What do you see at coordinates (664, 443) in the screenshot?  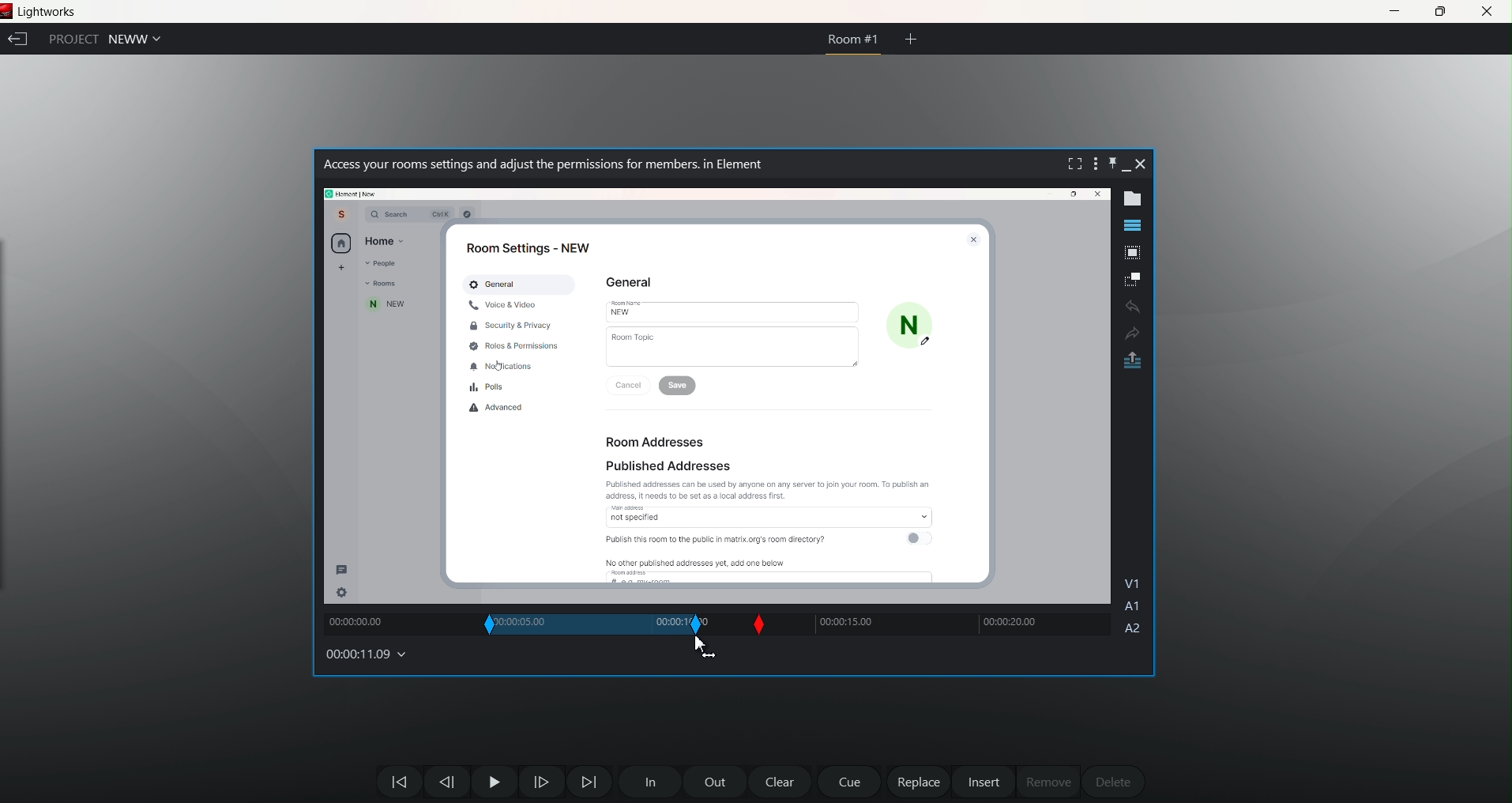 I see `Room Addresses` at bounding box center [664, 443].